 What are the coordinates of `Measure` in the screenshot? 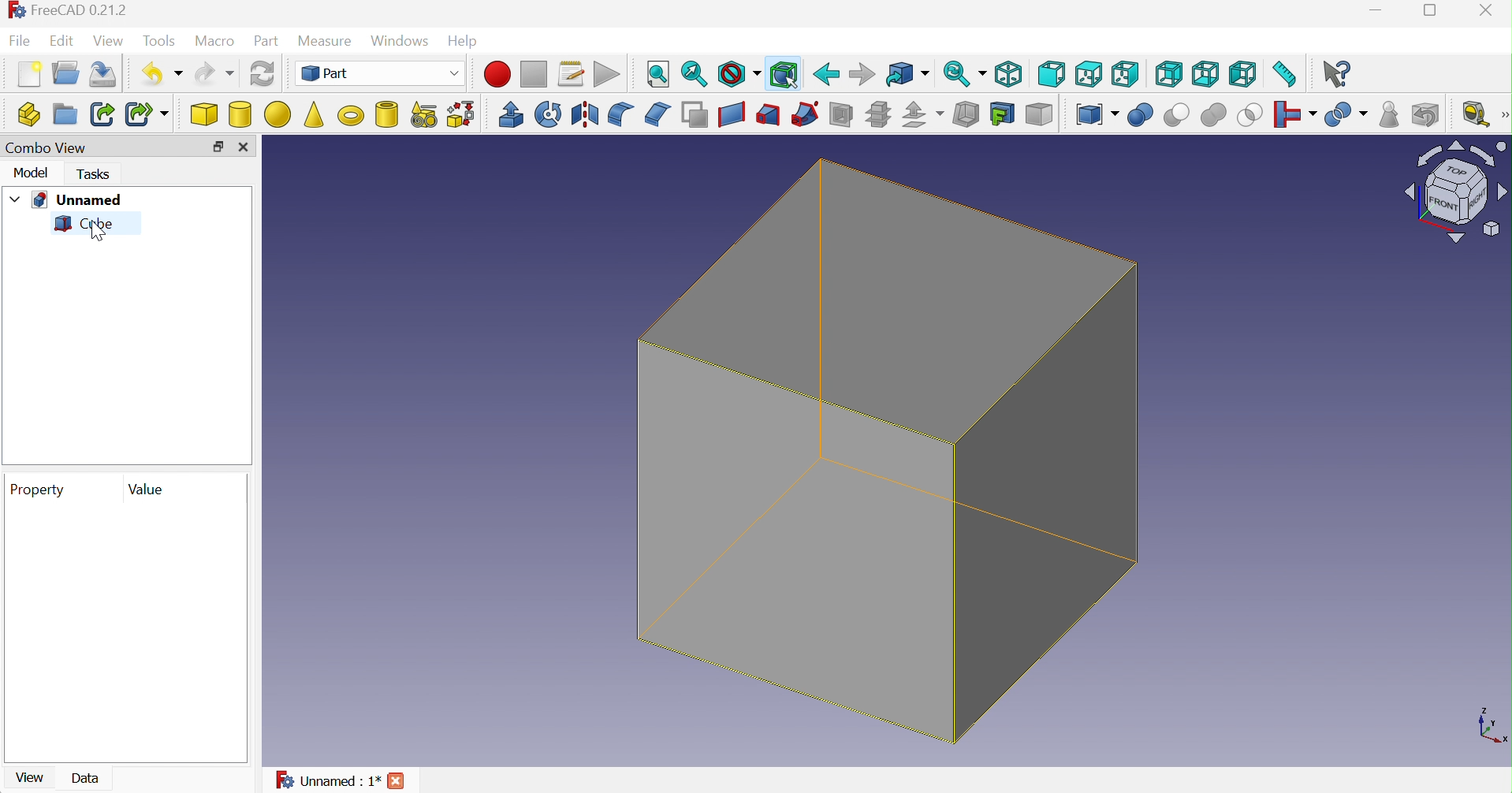 It's located at (326, 41).